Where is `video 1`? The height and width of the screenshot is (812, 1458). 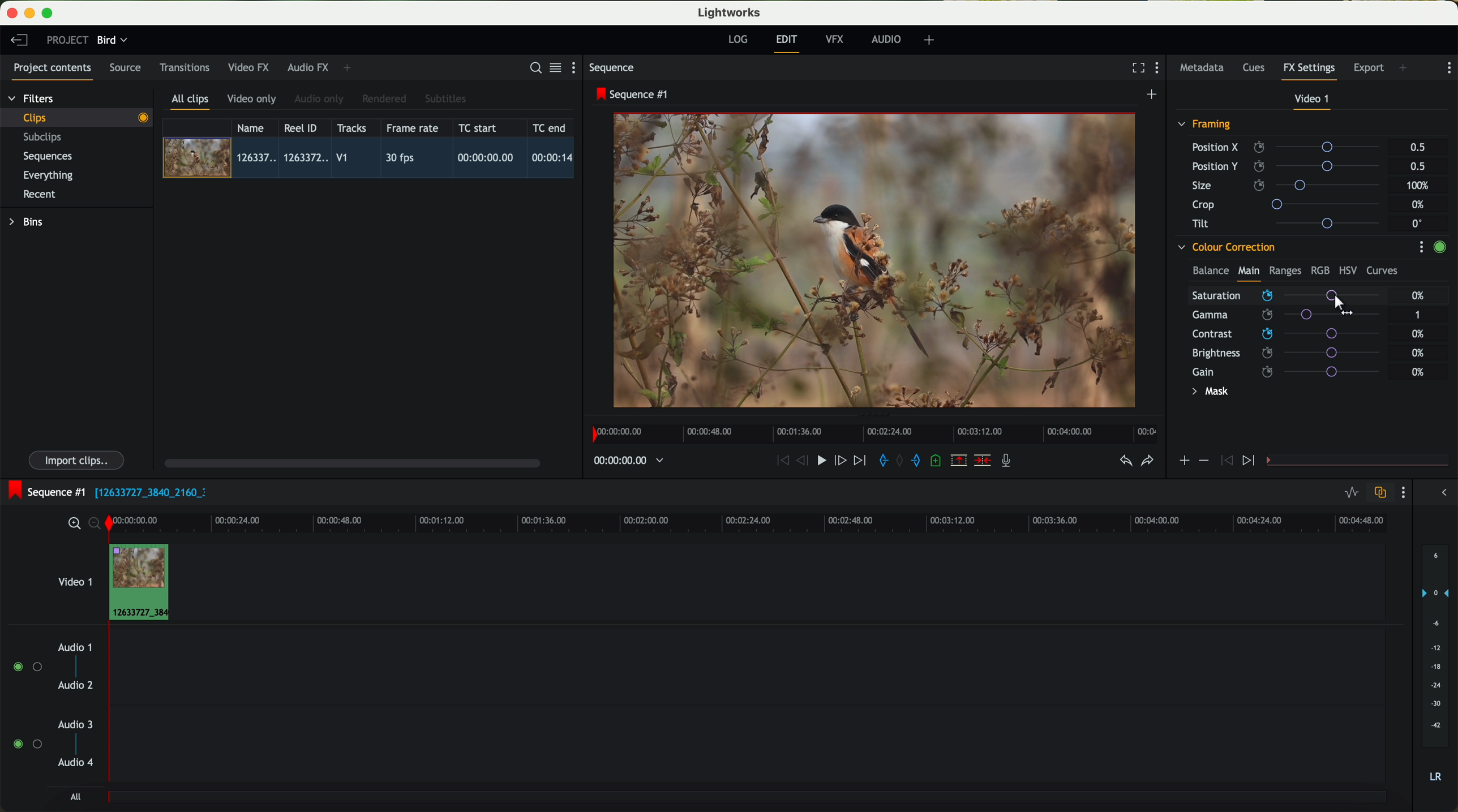 video 1 is located at coordinates (1313, 101).